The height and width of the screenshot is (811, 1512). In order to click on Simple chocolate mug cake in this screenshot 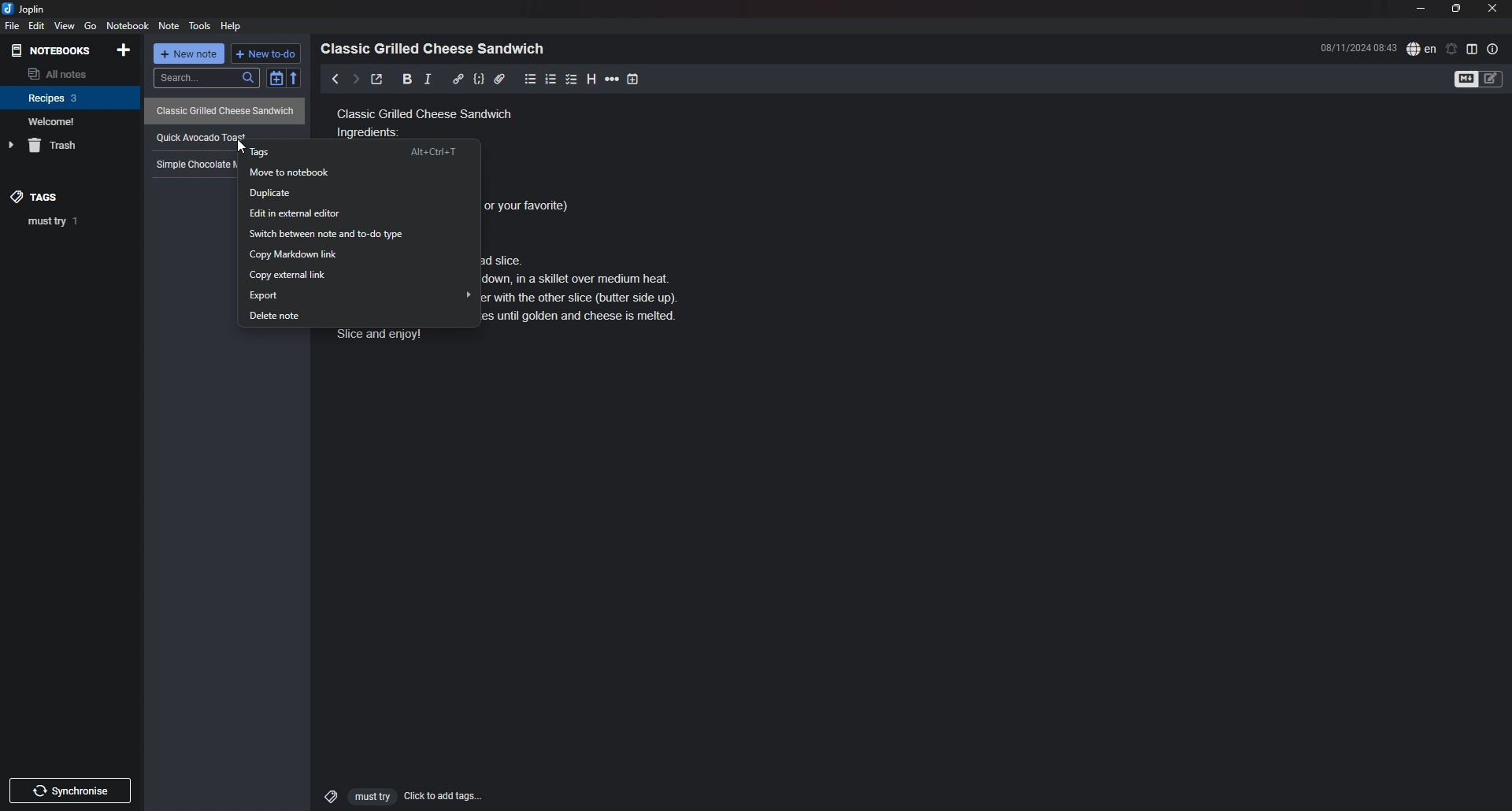, I will do `click(193, 164)`.